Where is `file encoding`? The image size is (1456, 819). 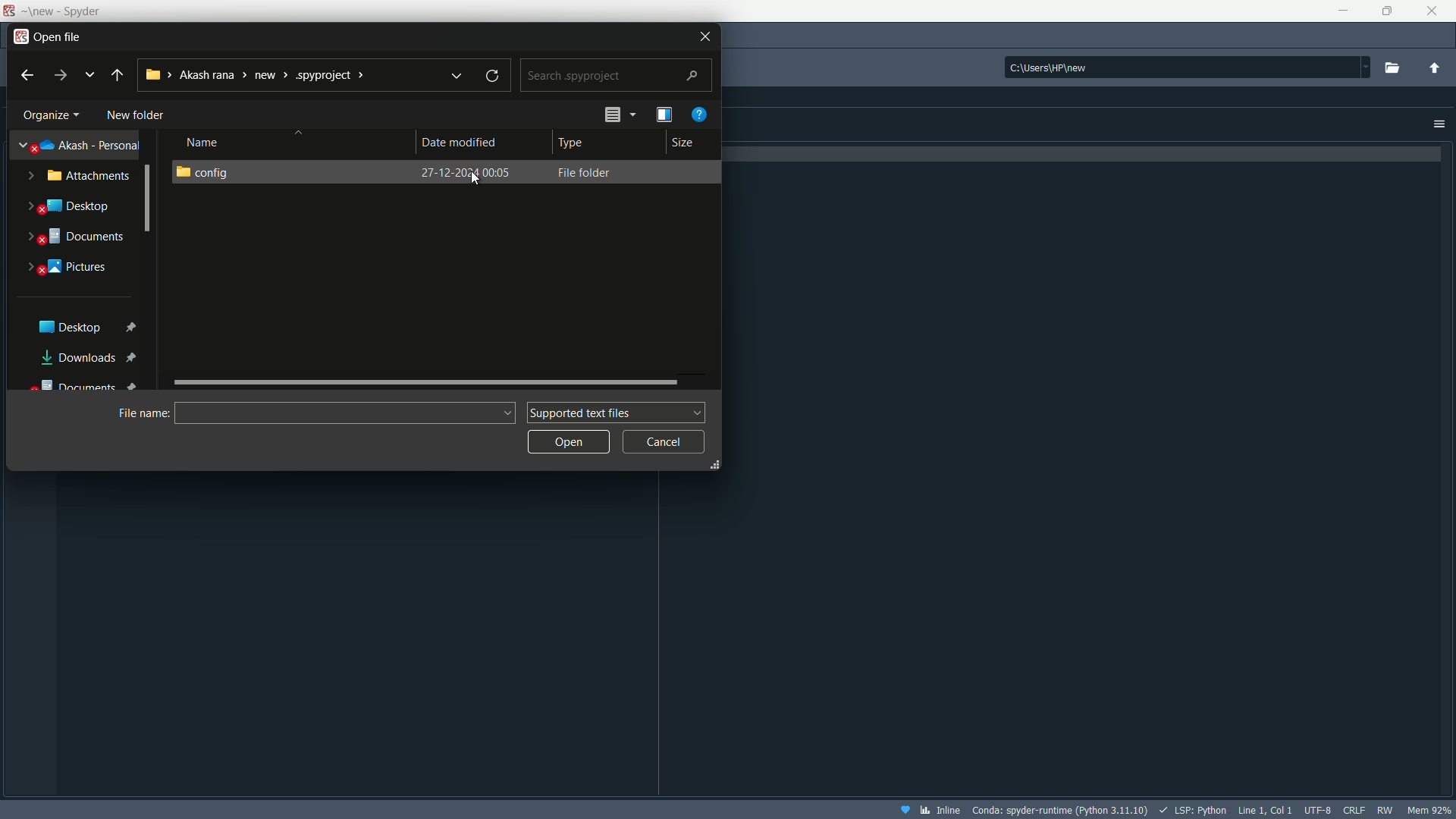 file encoding is located at coordinates (1318, 810).